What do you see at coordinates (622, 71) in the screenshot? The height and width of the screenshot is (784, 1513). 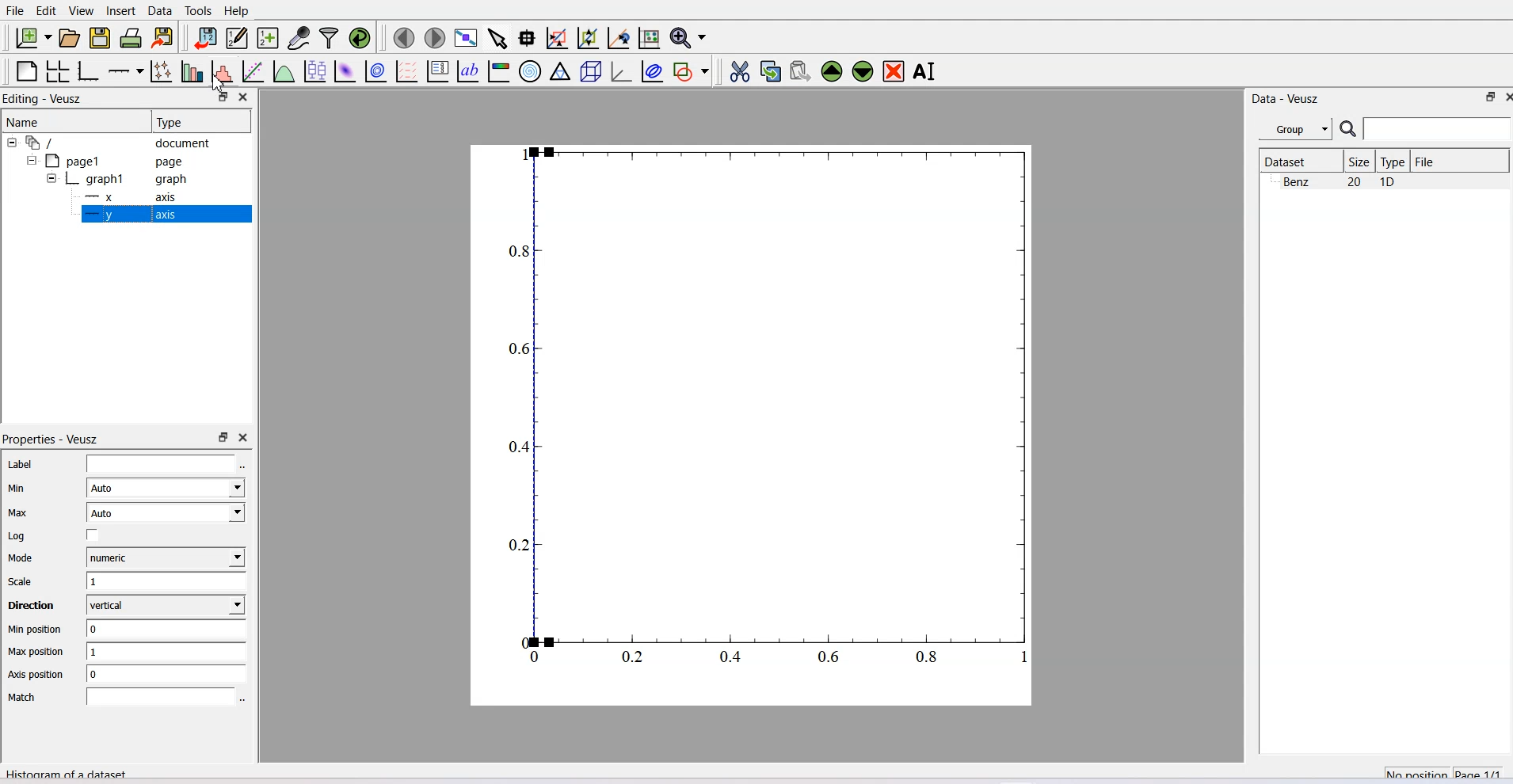 I see `3D Graph` at bounding box center [622, 71].